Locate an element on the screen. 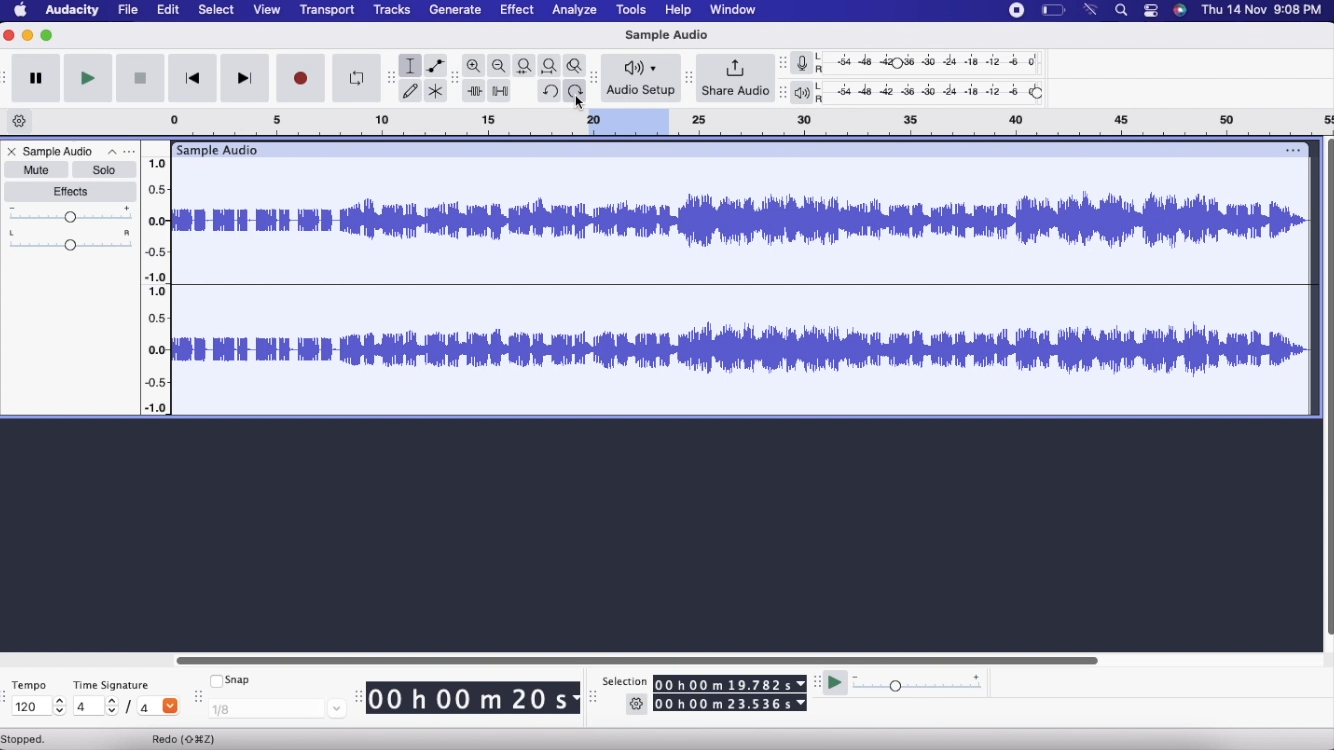 The image size is (1334, 750). Stopped is located at coordinates (26, 740).